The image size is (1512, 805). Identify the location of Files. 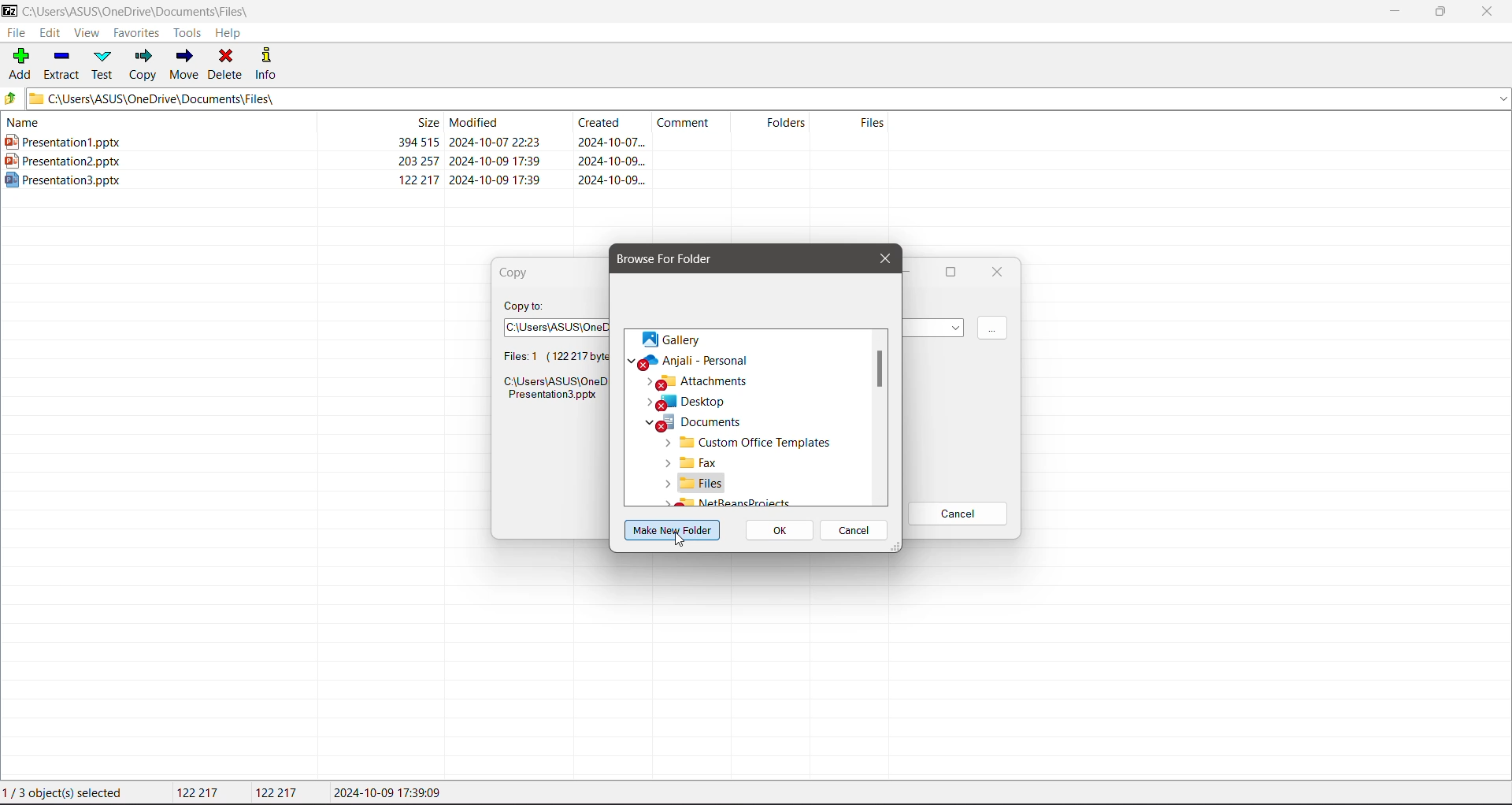
(856, 123).